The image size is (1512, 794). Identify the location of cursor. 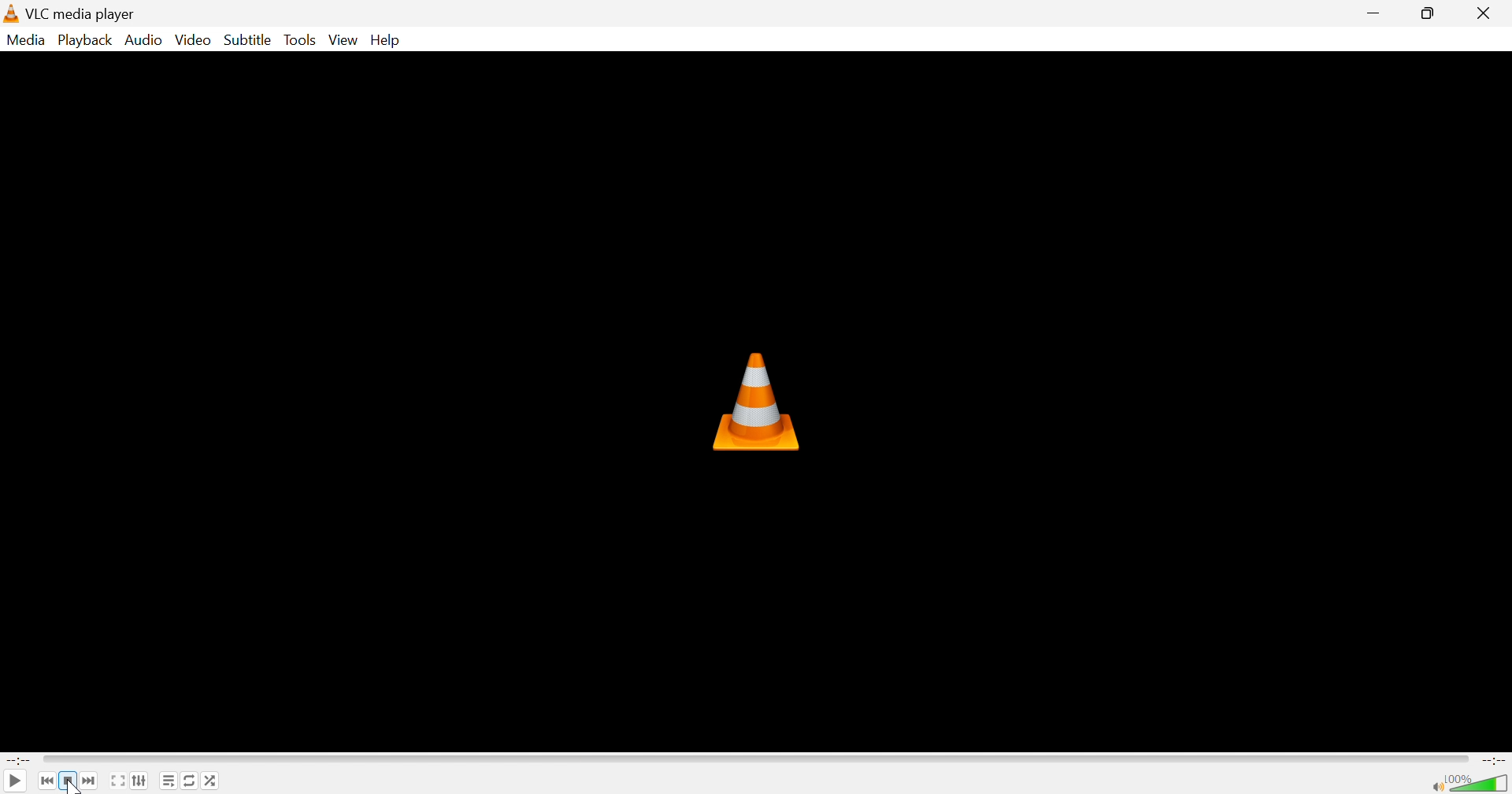
(74, 787).